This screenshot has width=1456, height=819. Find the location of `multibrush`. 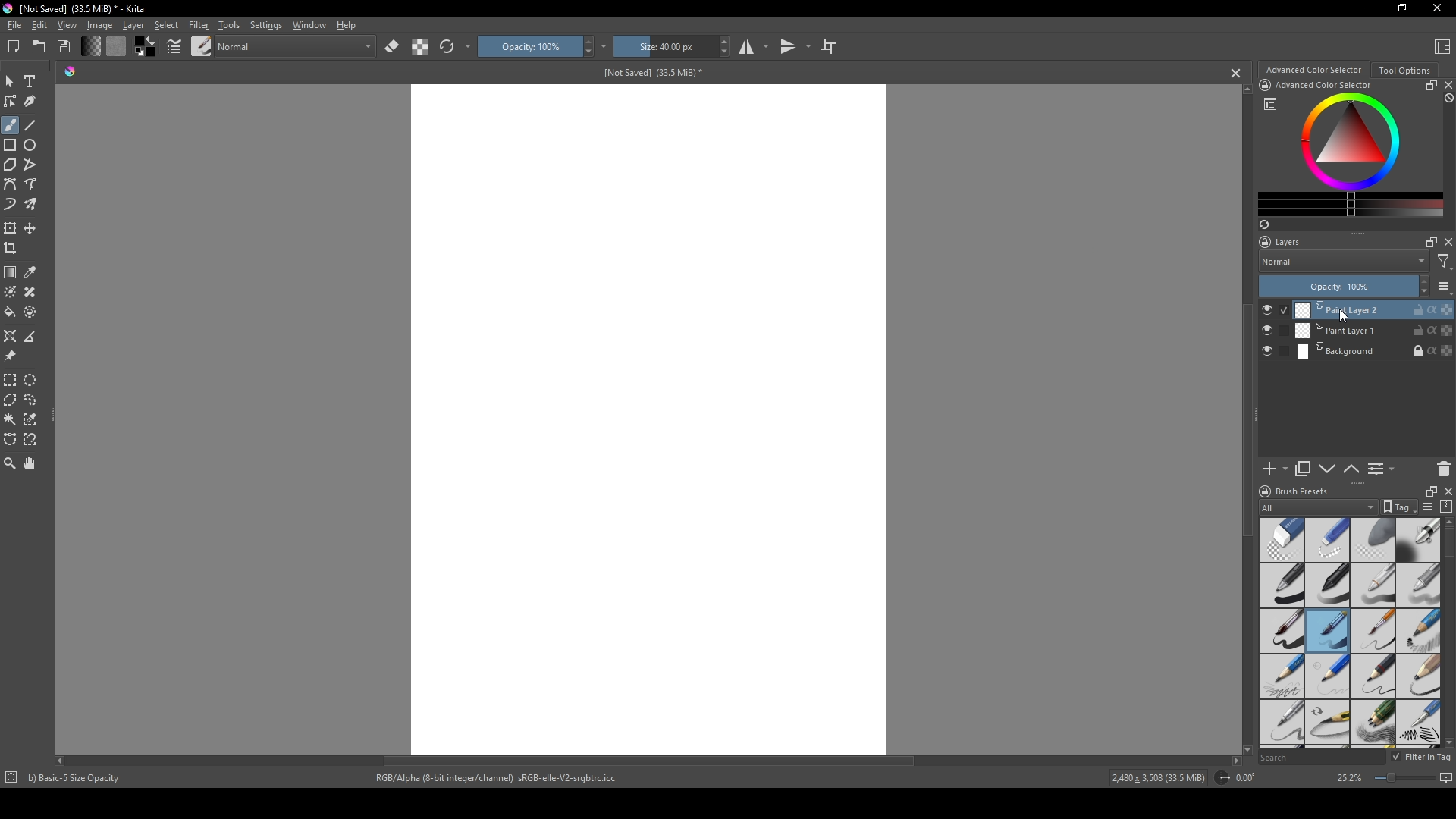

multibrush is located at coordinates (32, 205).